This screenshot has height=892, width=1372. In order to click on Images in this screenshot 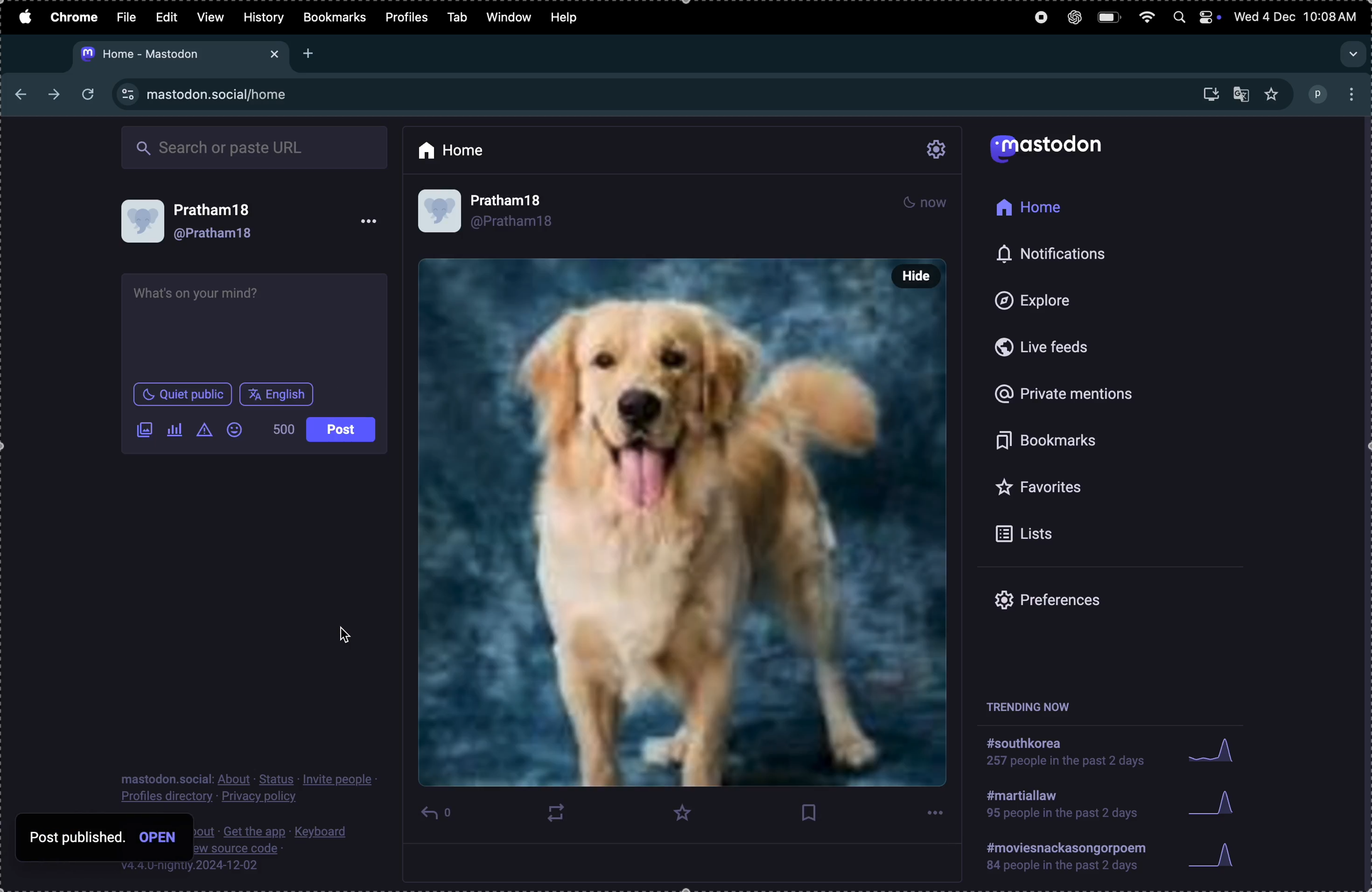, I will do `click(144, 432)`.